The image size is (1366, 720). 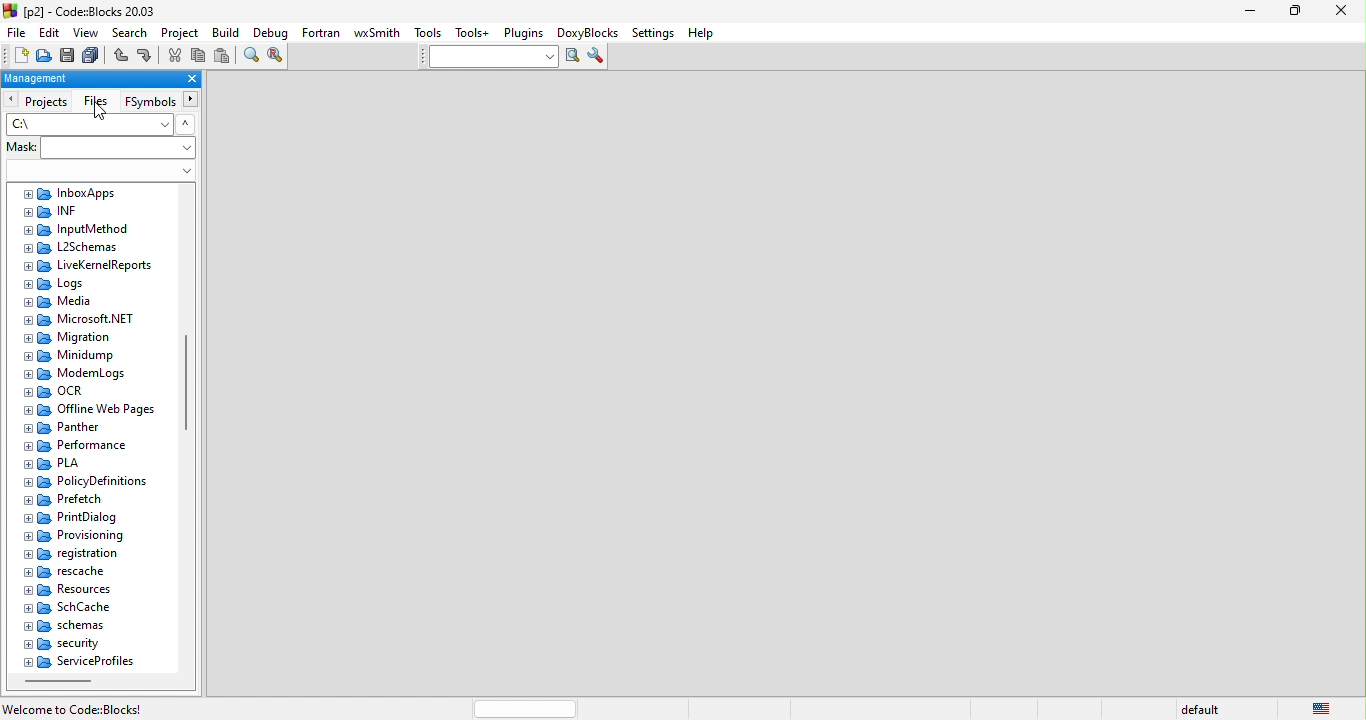 I want to click on new, so click(x=16, y=53).